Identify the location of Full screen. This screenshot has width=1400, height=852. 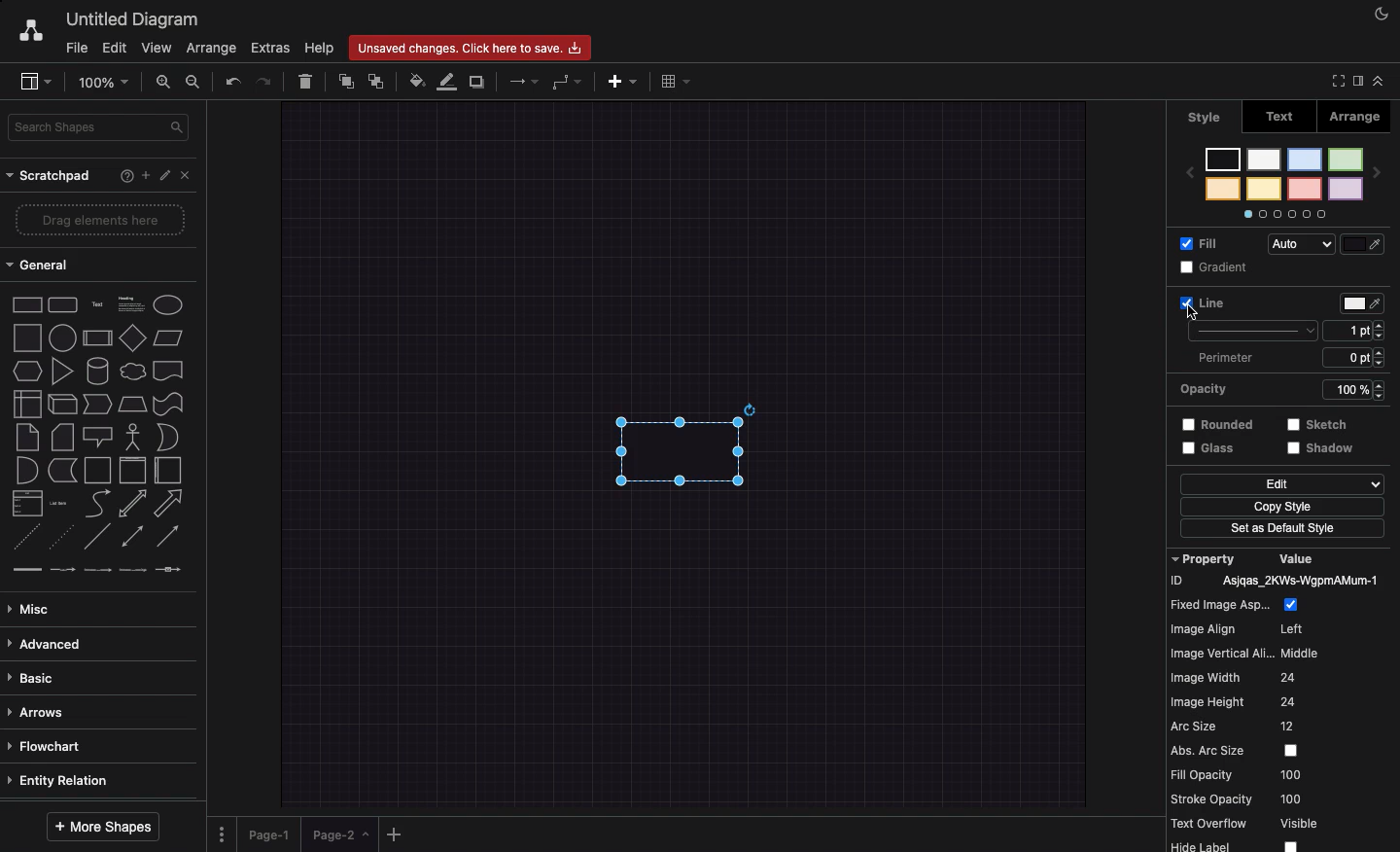
(1336, 83).